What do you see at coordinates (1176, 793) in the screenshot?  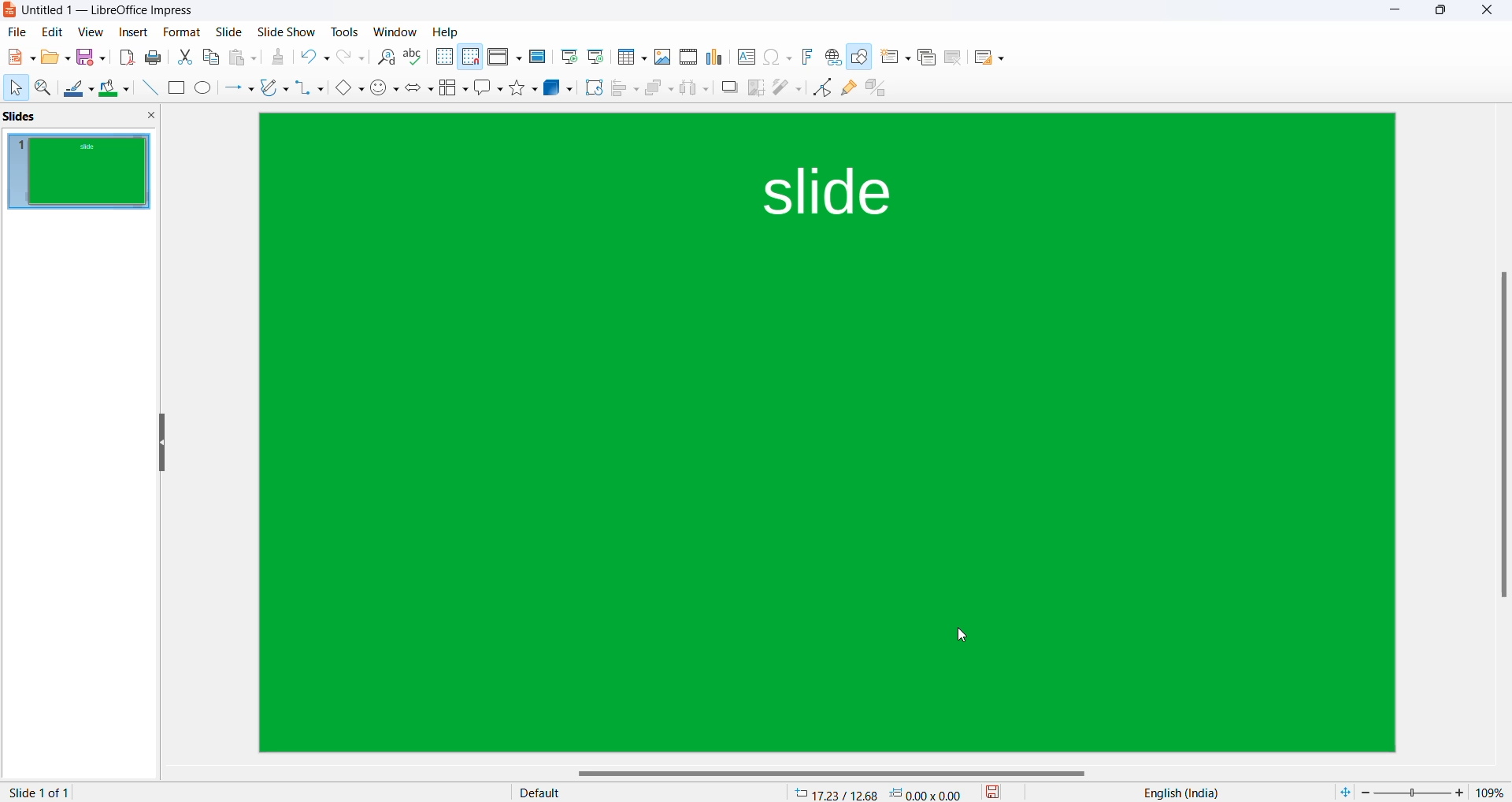 I see `text language` at bounding box center [1176, 793].